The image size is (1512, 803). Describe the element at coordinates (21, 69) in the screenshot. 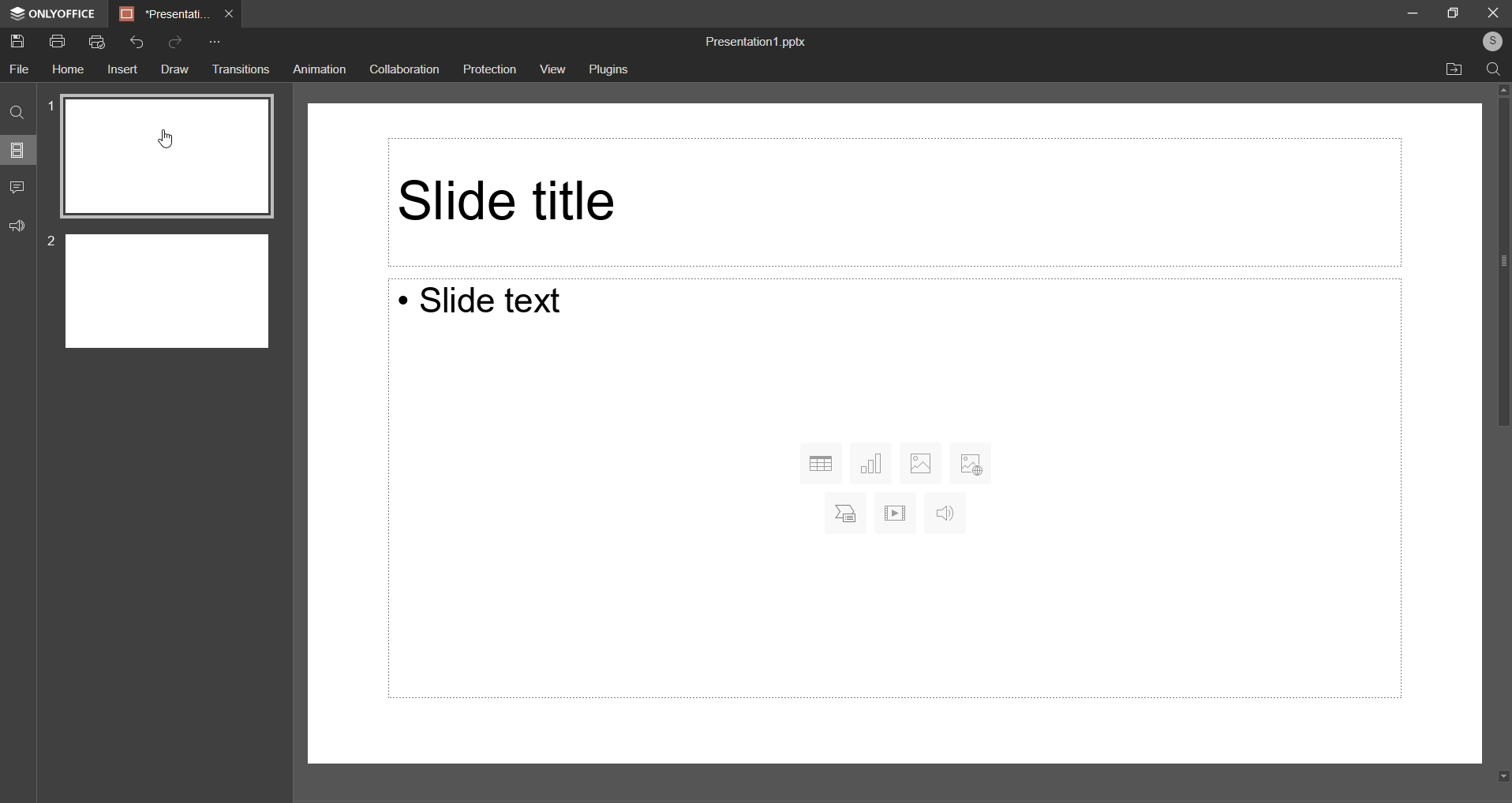

I see `File` at that location.